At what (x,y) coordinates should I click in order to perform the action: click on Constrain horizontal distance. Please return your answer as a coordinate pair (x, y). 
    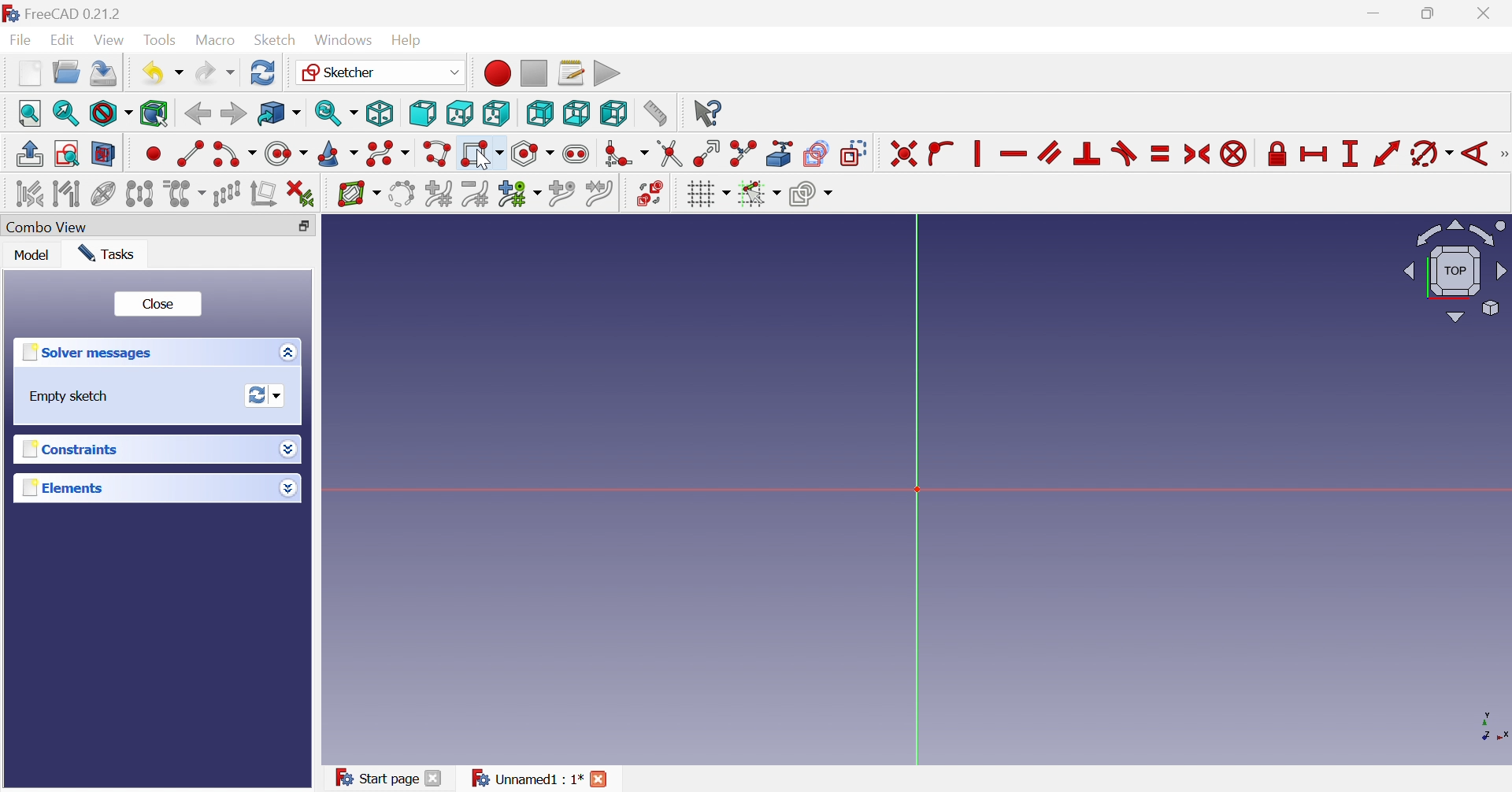
    Looking at the image, I should click on (1314, 154).